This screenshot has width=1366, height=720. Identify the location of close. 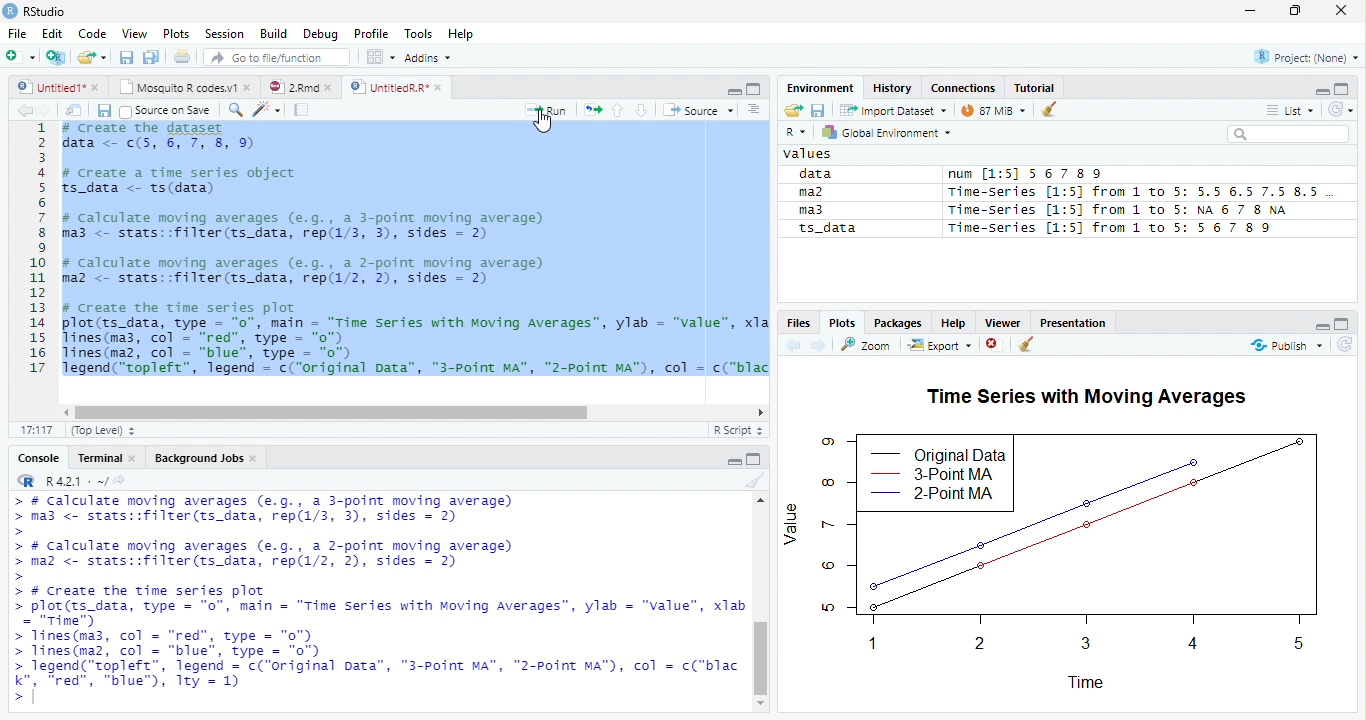
(136, 459).